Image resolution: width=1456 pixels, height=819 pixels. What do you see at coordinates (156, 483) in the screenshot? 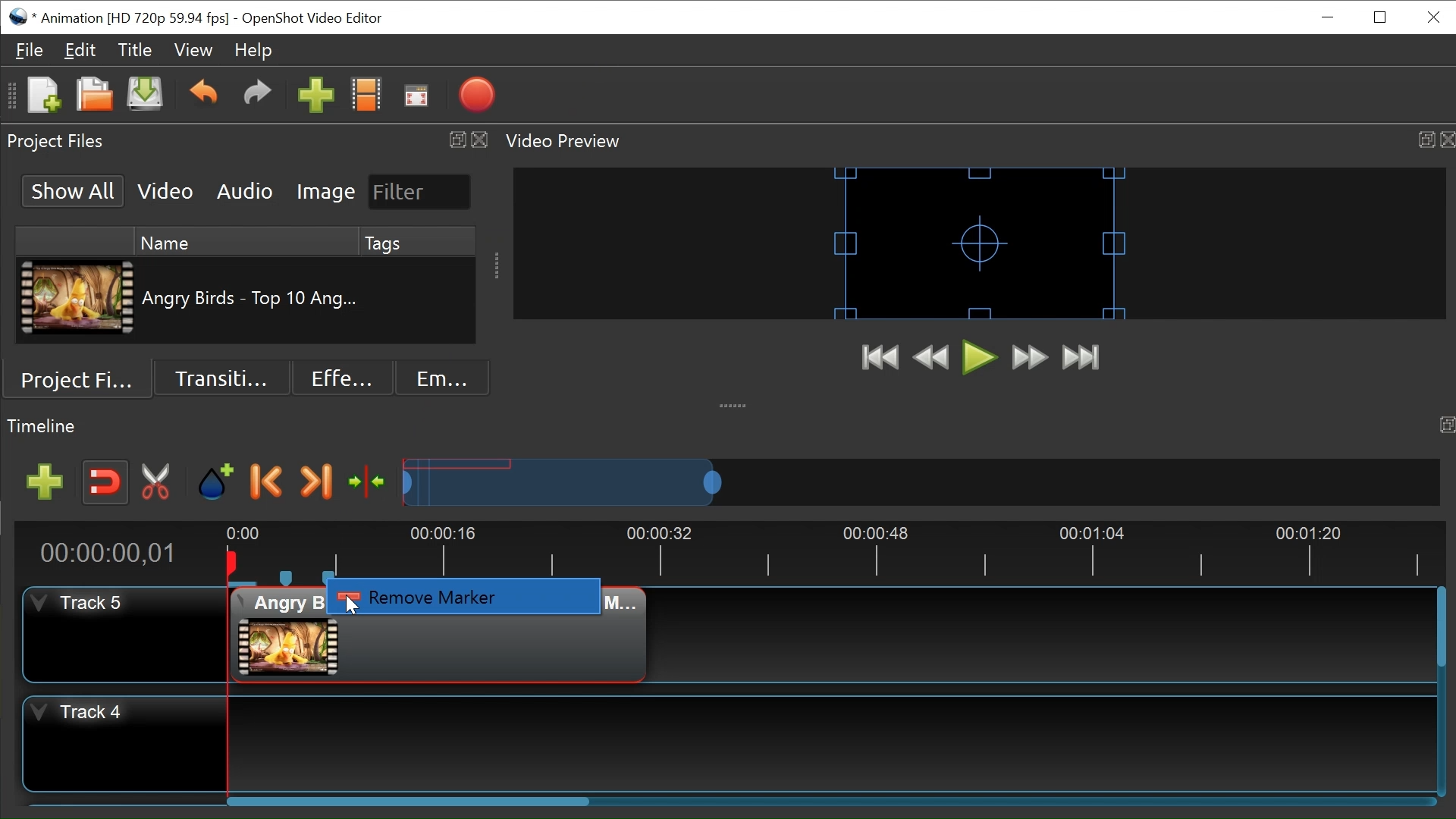
I see `Razor` at bounding box center [156, 483].